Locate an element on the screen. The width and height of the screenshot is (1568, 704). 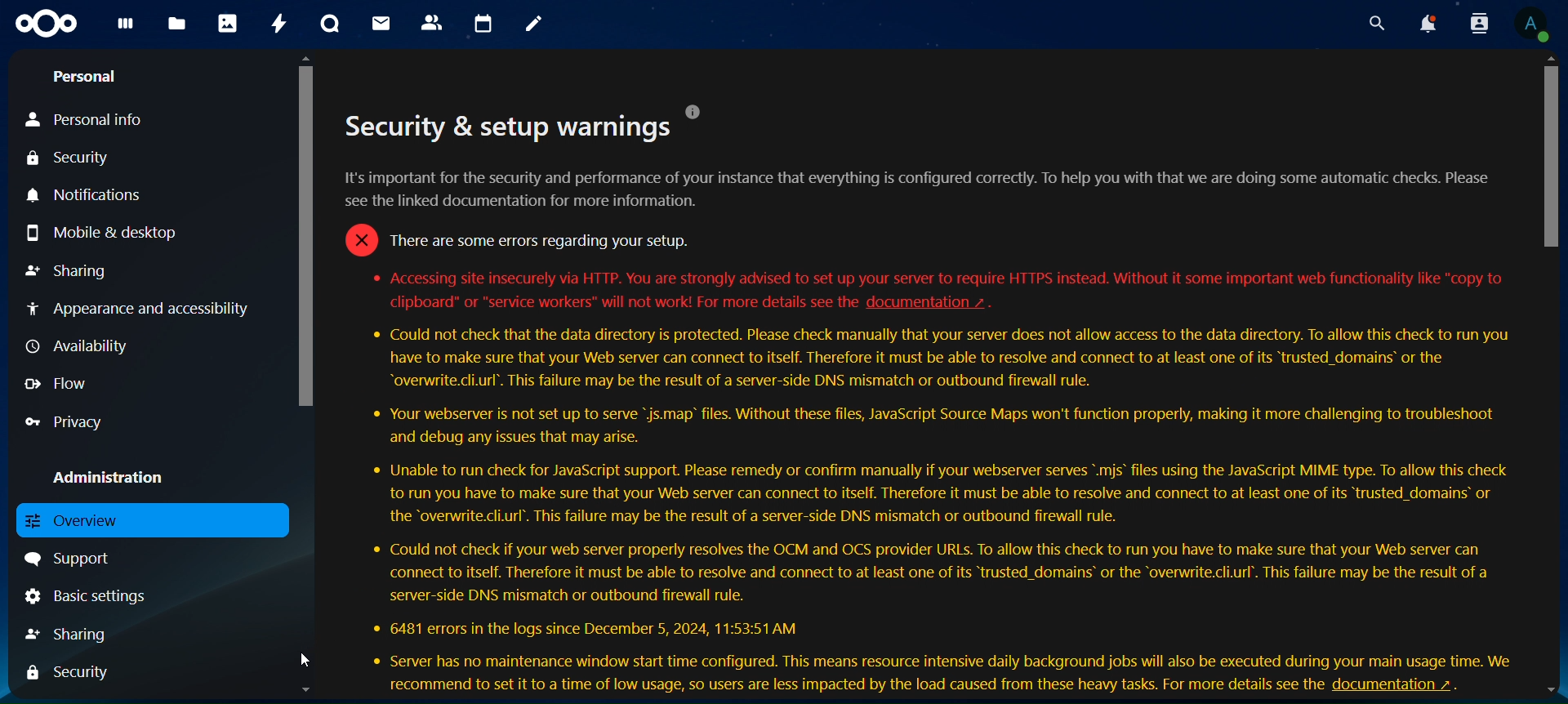
files is located at coordinates (177, 21).